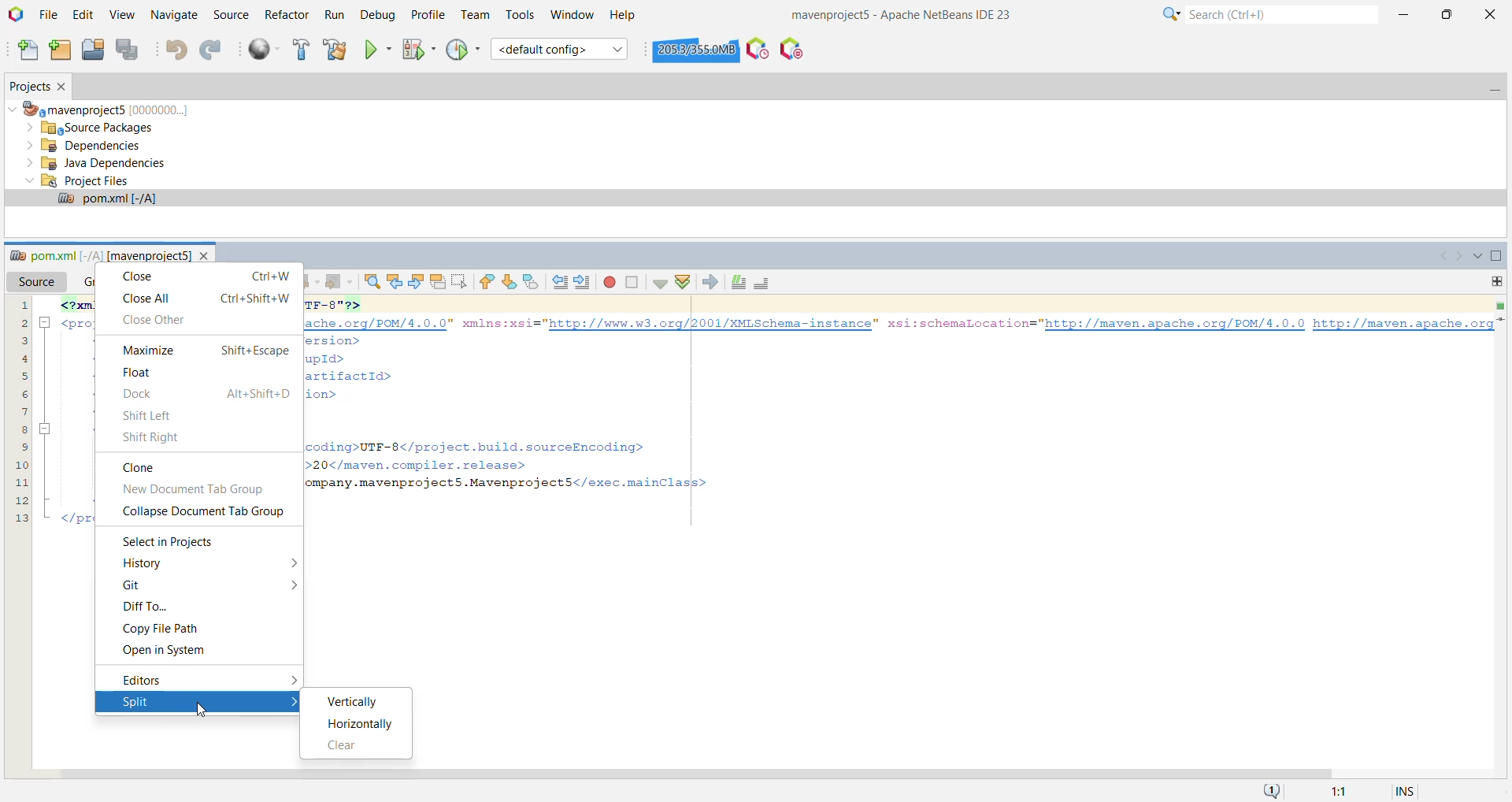 The image size is (1512, 802). What do you see at coordinates (98, 255) in the screenshot?
I see `pom.xml file window` at bounding box center [98, 255].